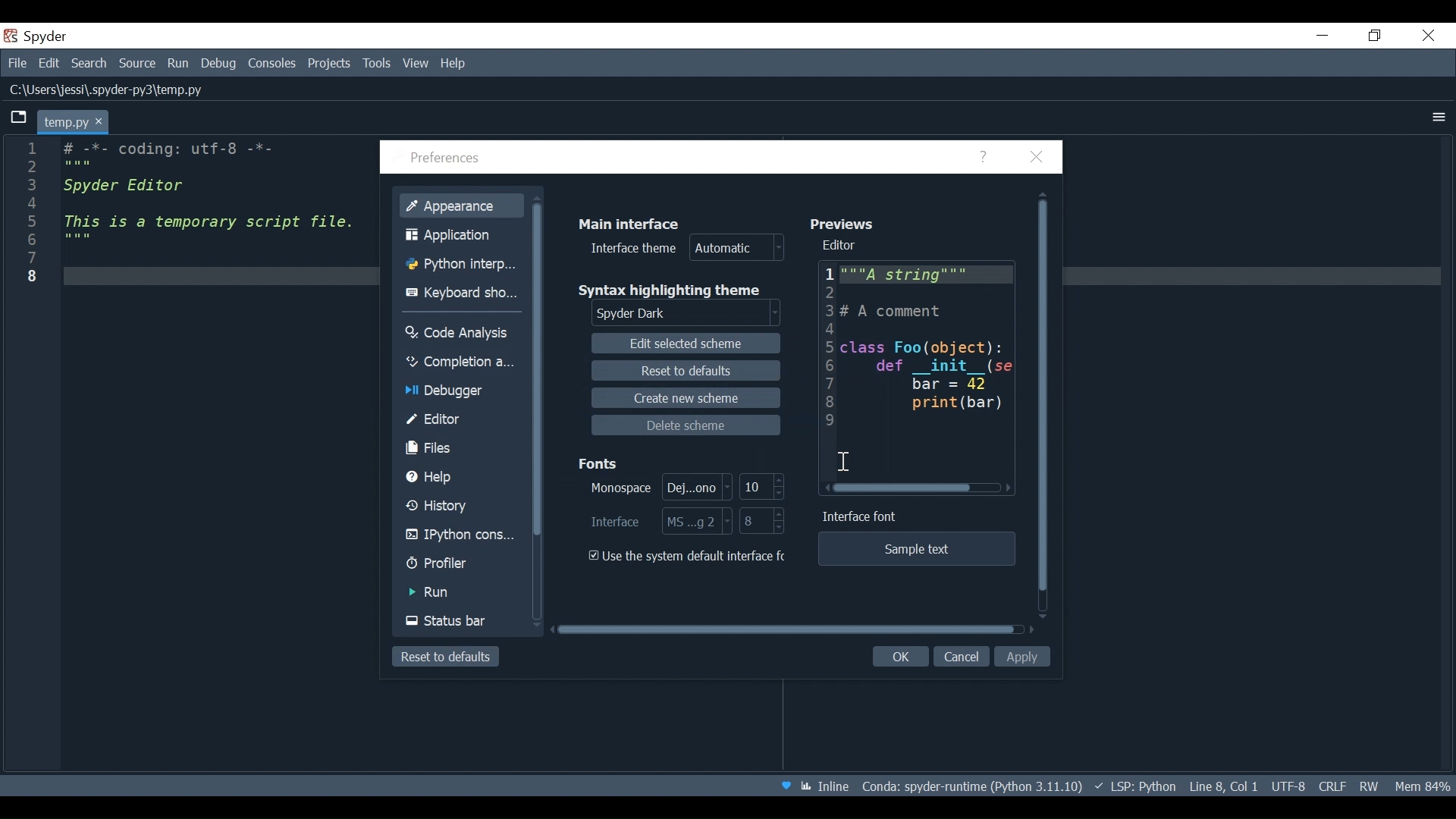 The width and height of the screenshot is (1456, 819). What do you see at coordinates (863, 517) in the screenshot?
I see `Interface Font` at bounding box center [863, 517].